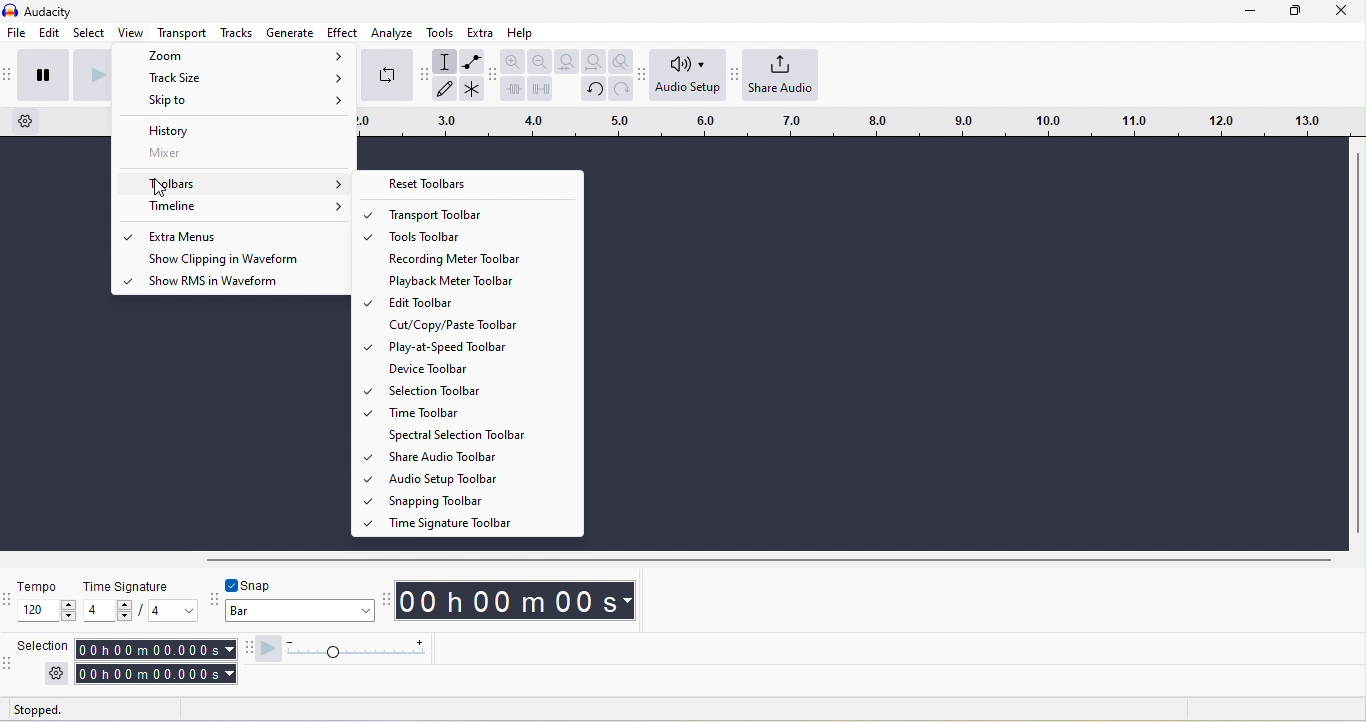  I want to click on Tools toolbar, so click(479, 235).